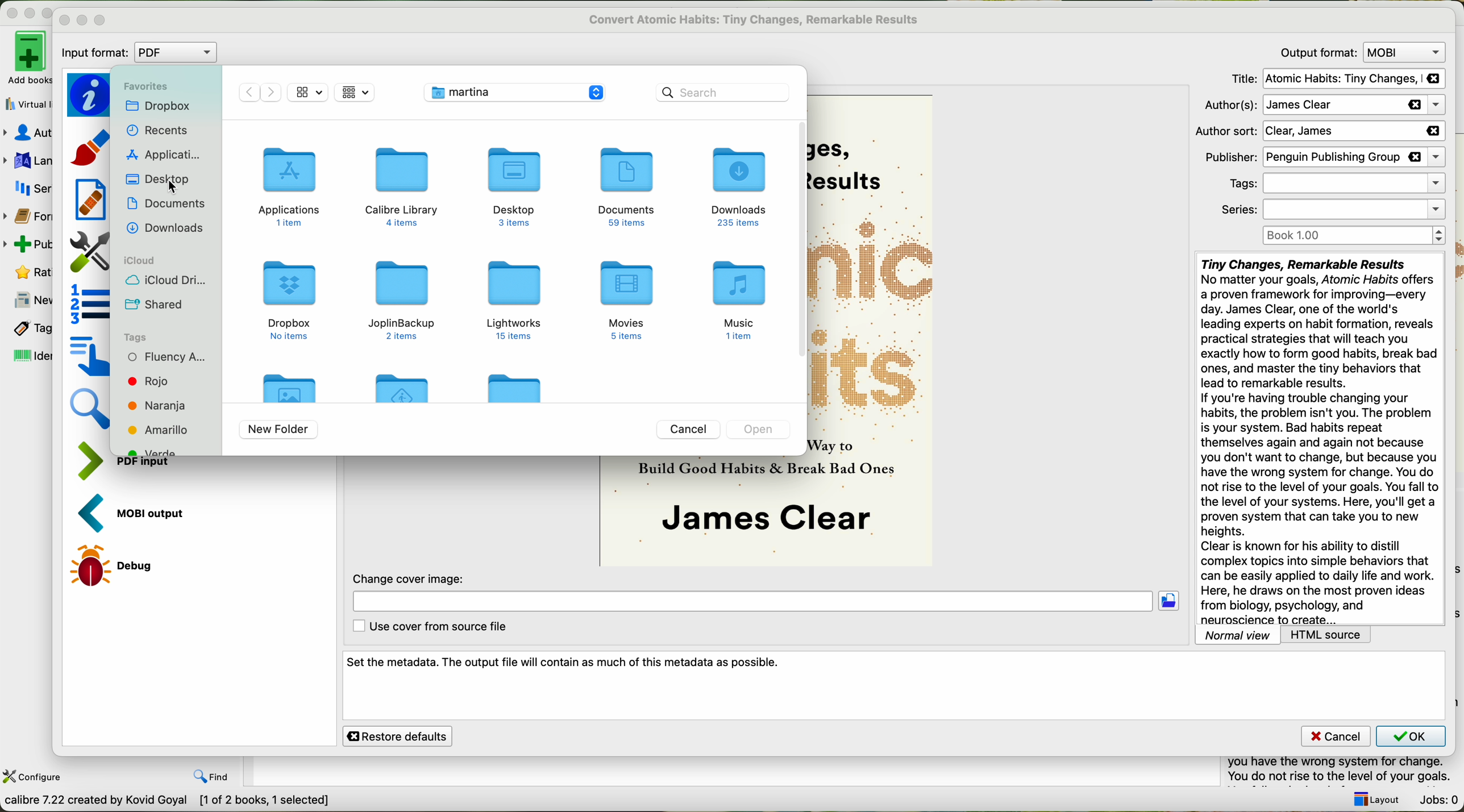 The width and height of the screenshot is (1464, 812). I want to click on search bar, so click(724, 91).